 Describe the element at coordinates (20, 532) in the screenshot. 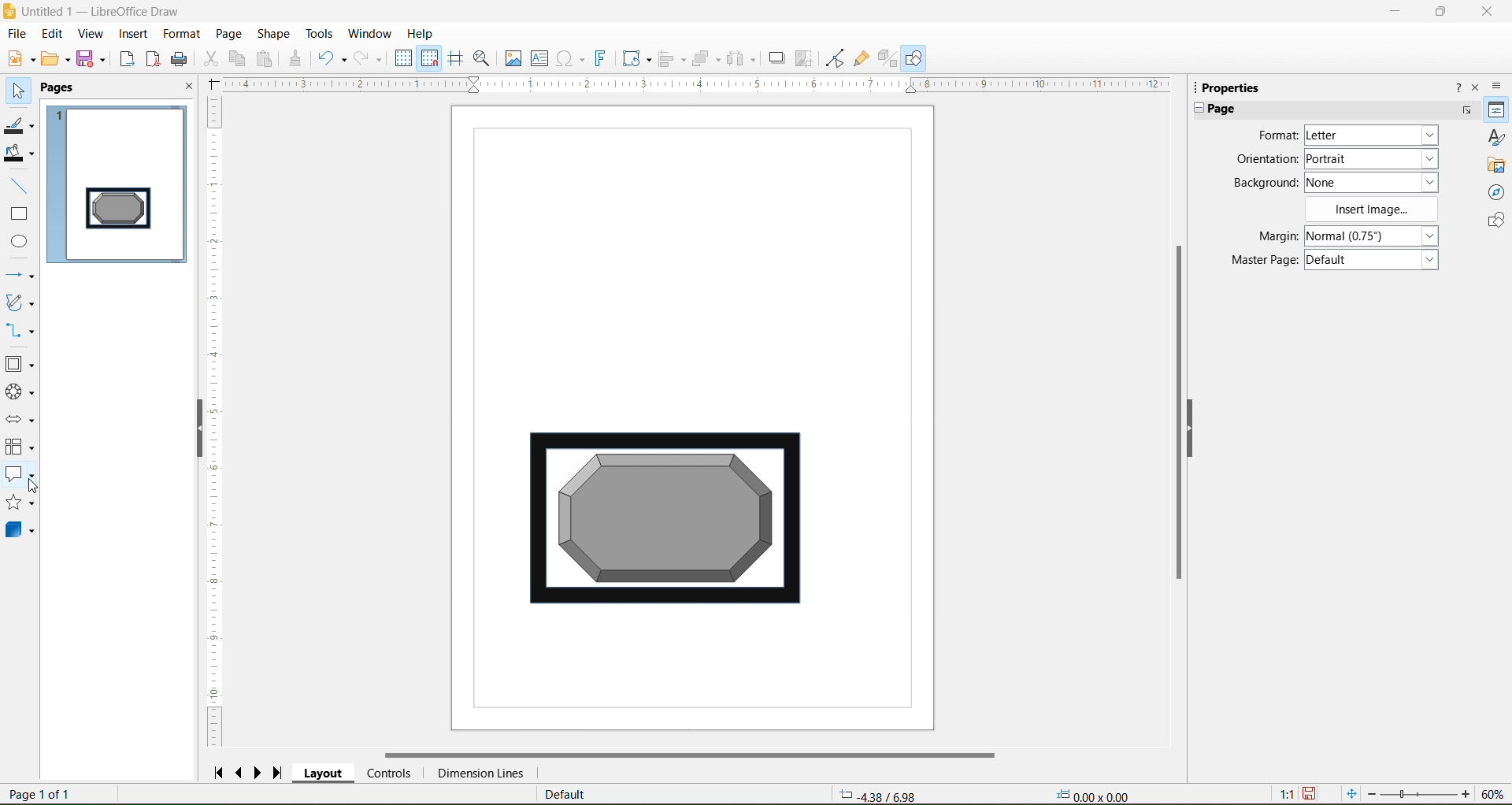

I see `3D Objects` at that location.